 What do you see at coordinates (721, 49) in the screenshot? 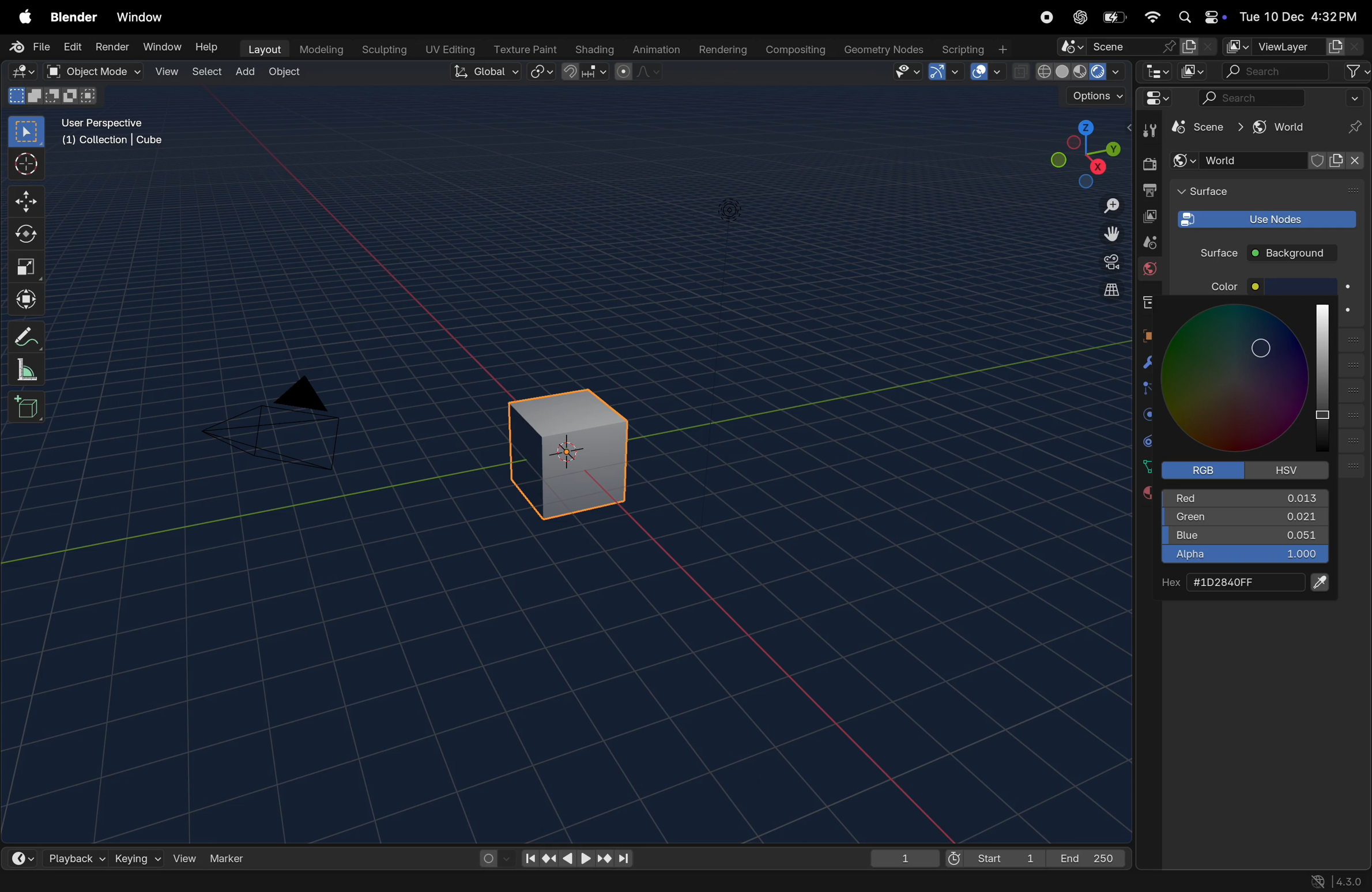
I see `Rendering` at bounding box center [721, 49].